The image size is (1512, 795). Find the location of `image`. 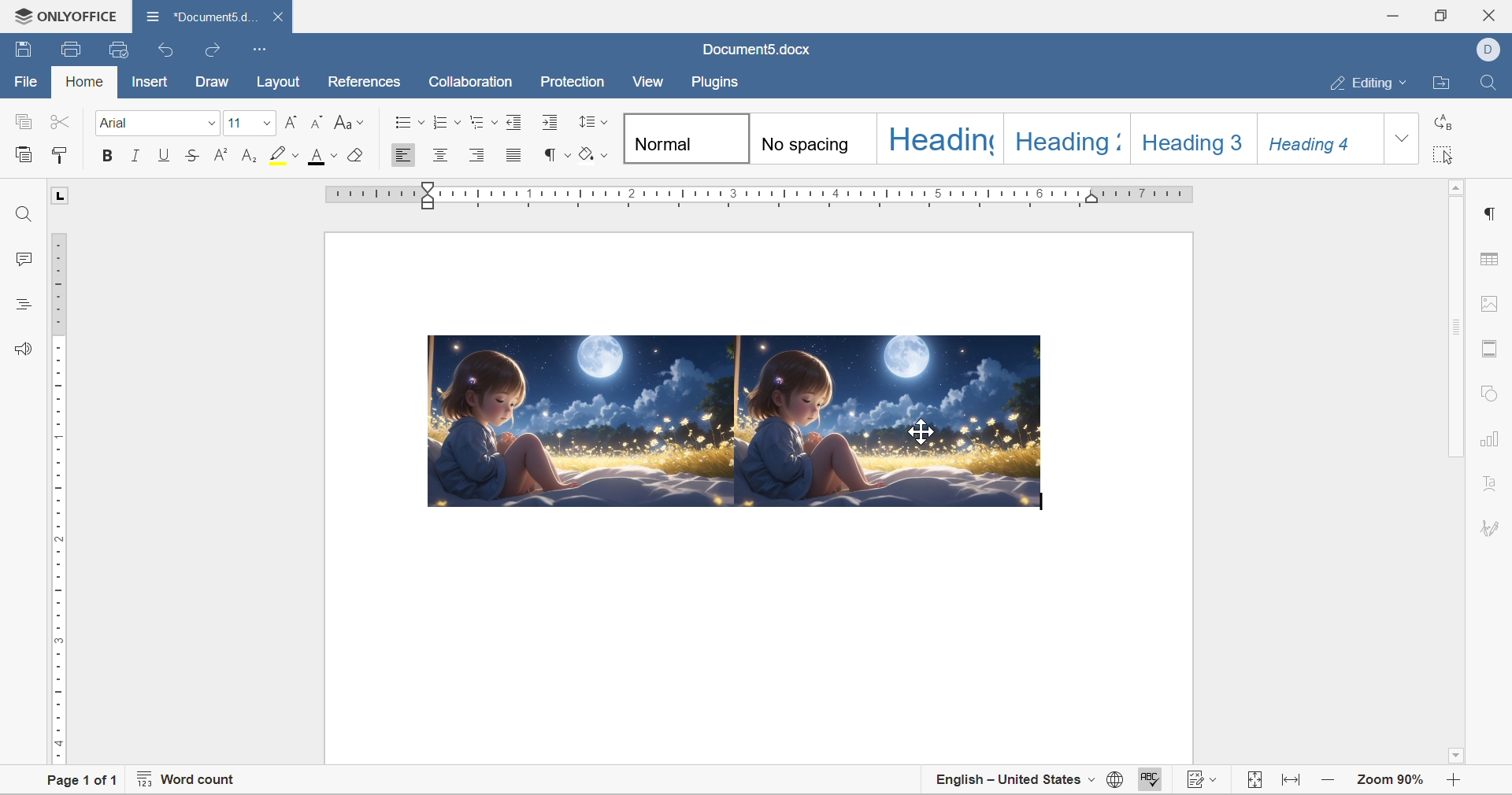

image is located at coordinates (584, 422).